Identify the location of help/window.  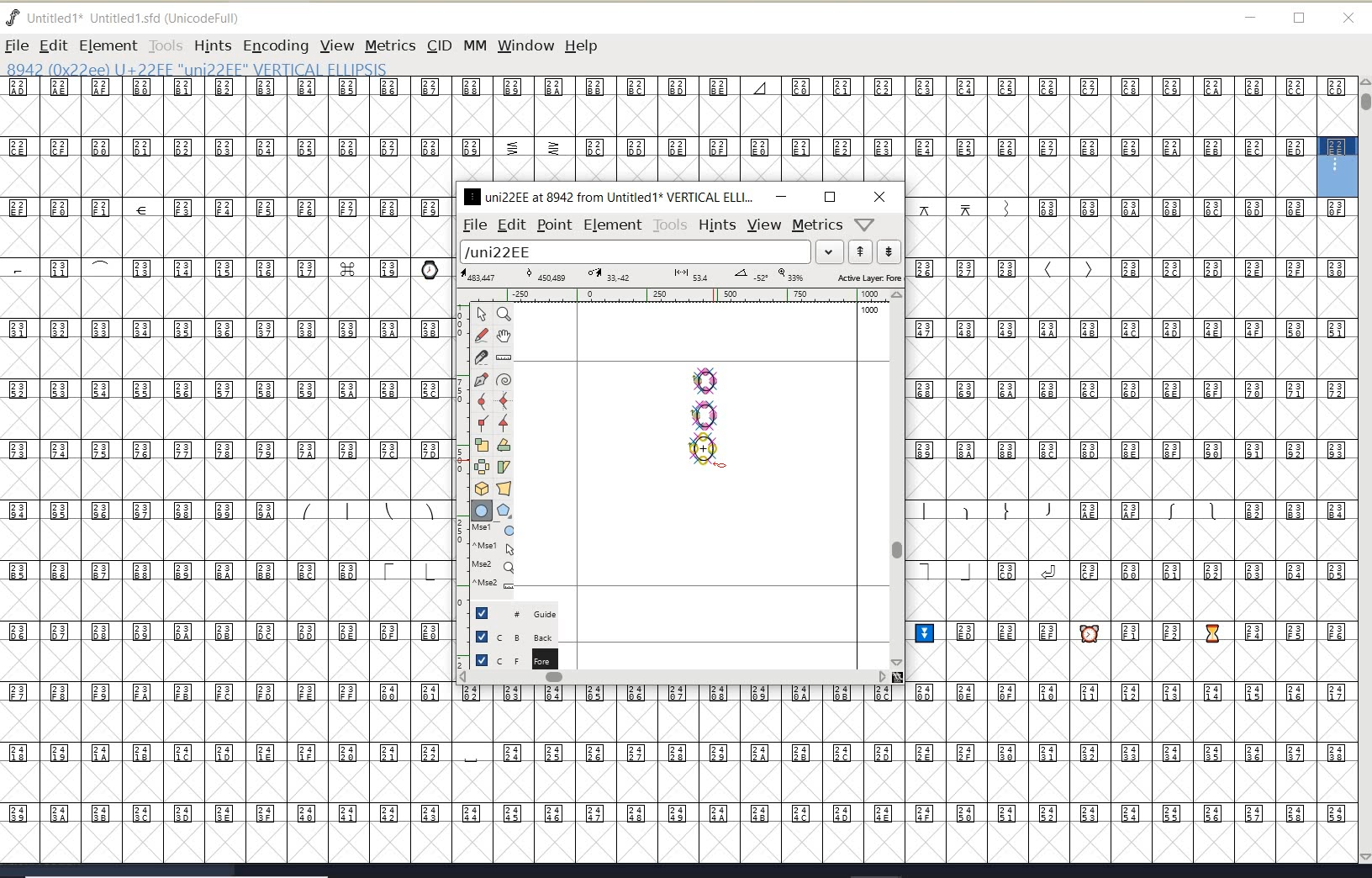
(865, 223).